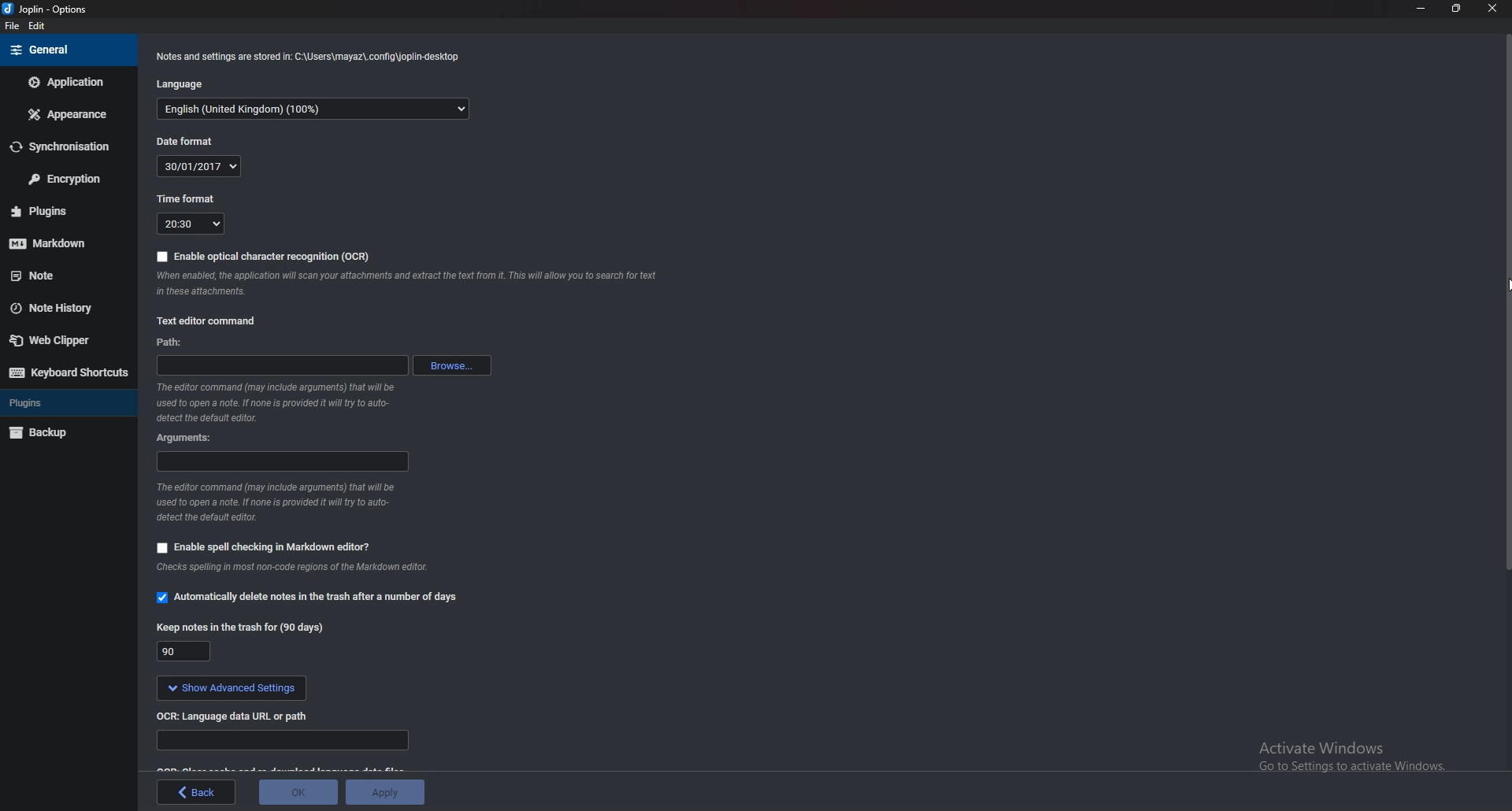 This screenshot has width=1512, height=811. I want to click on Text editor command, so click(208, 319).